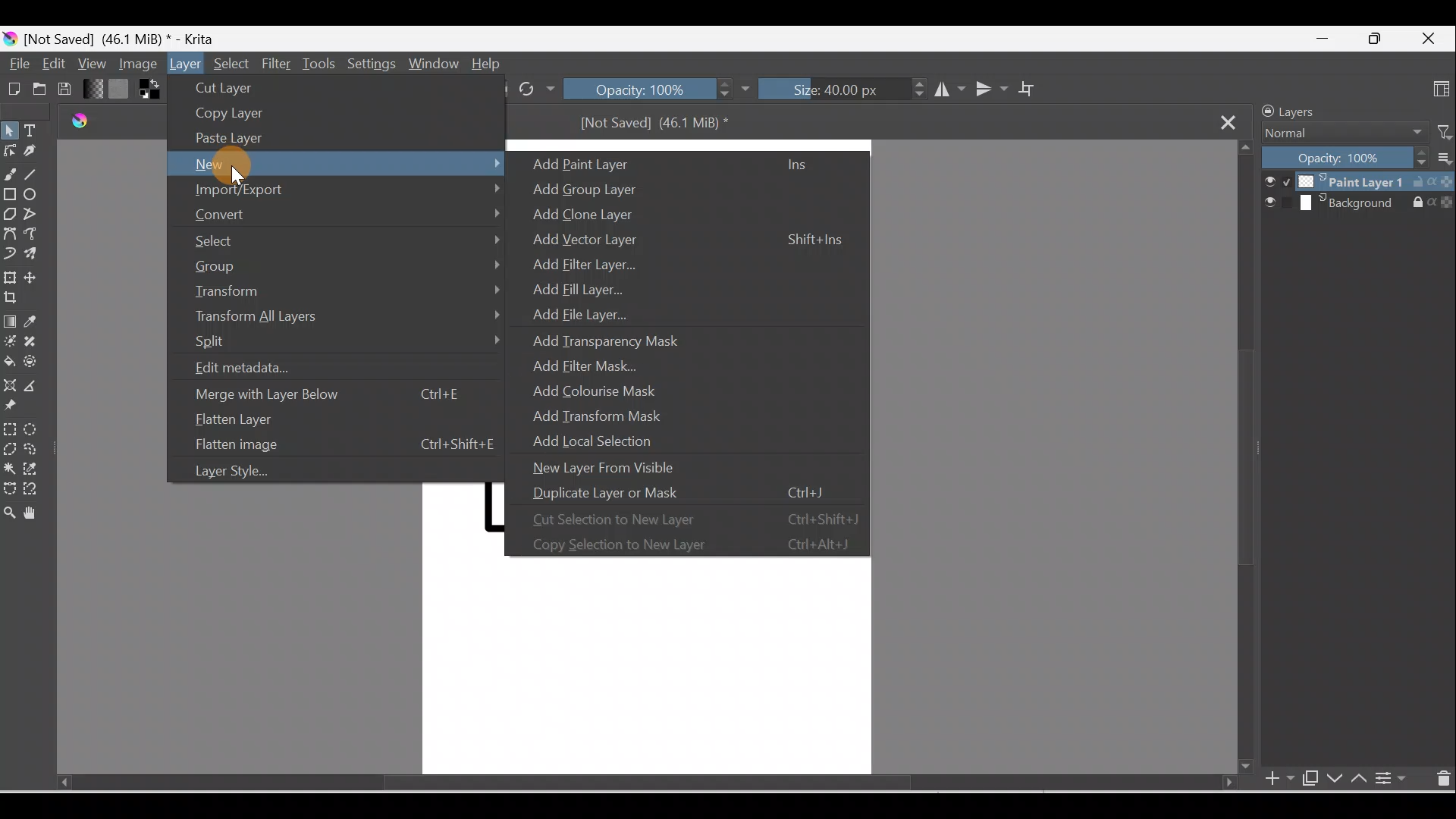 The height and width of the screenshot is (819, 1456). I want to click on Horizontal mirror tool, so click(944, 91).